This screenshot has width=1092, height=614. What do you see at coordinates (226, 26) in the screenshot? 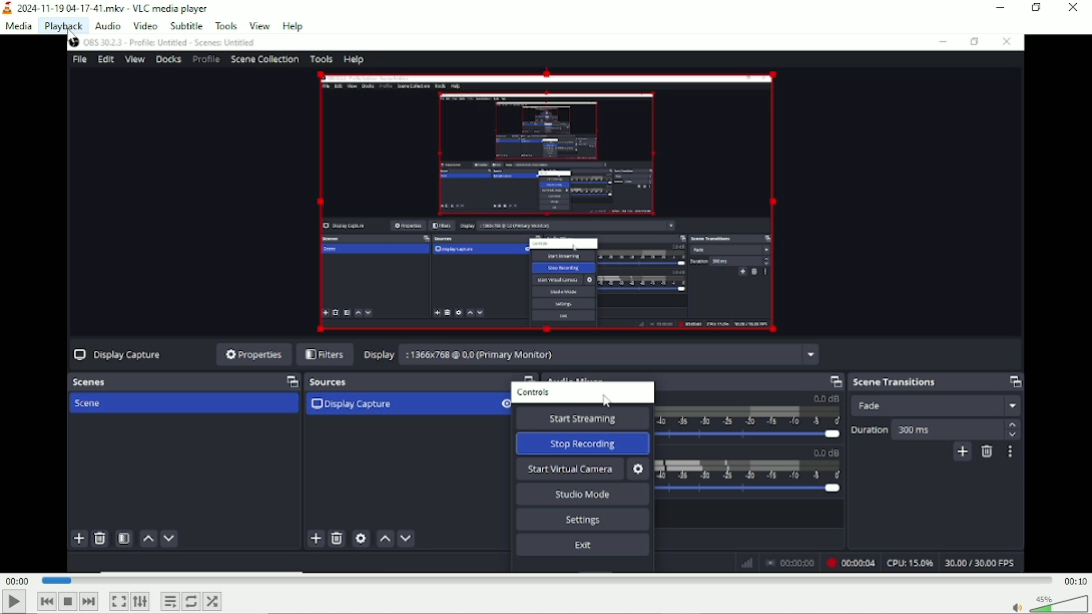
I see `Tools` at bounding box center [226, 26].